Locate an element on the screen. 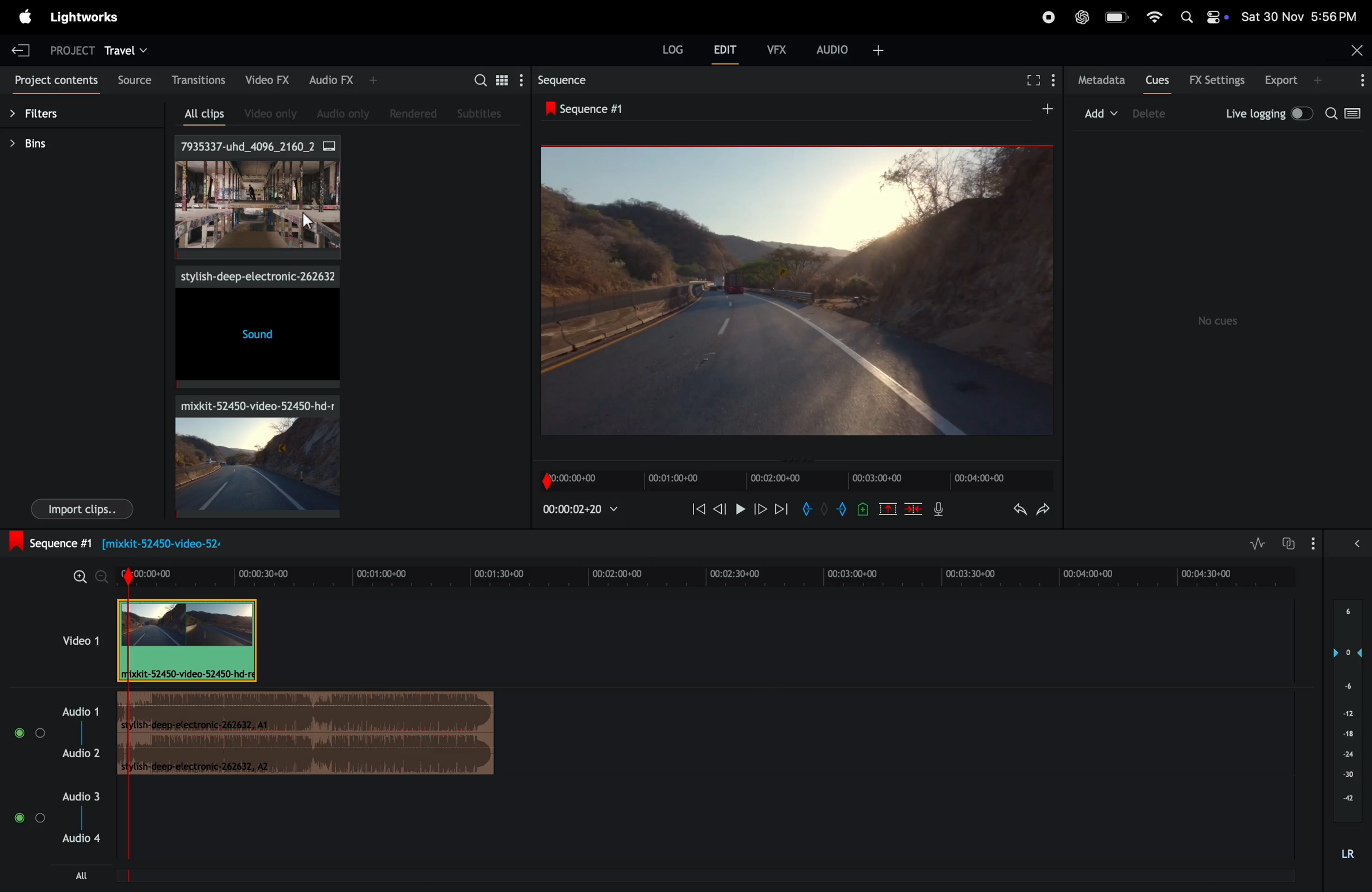 Image resolution: width=1372 pixels, height=892 pixels. video only is located at coordinates (265, 114).